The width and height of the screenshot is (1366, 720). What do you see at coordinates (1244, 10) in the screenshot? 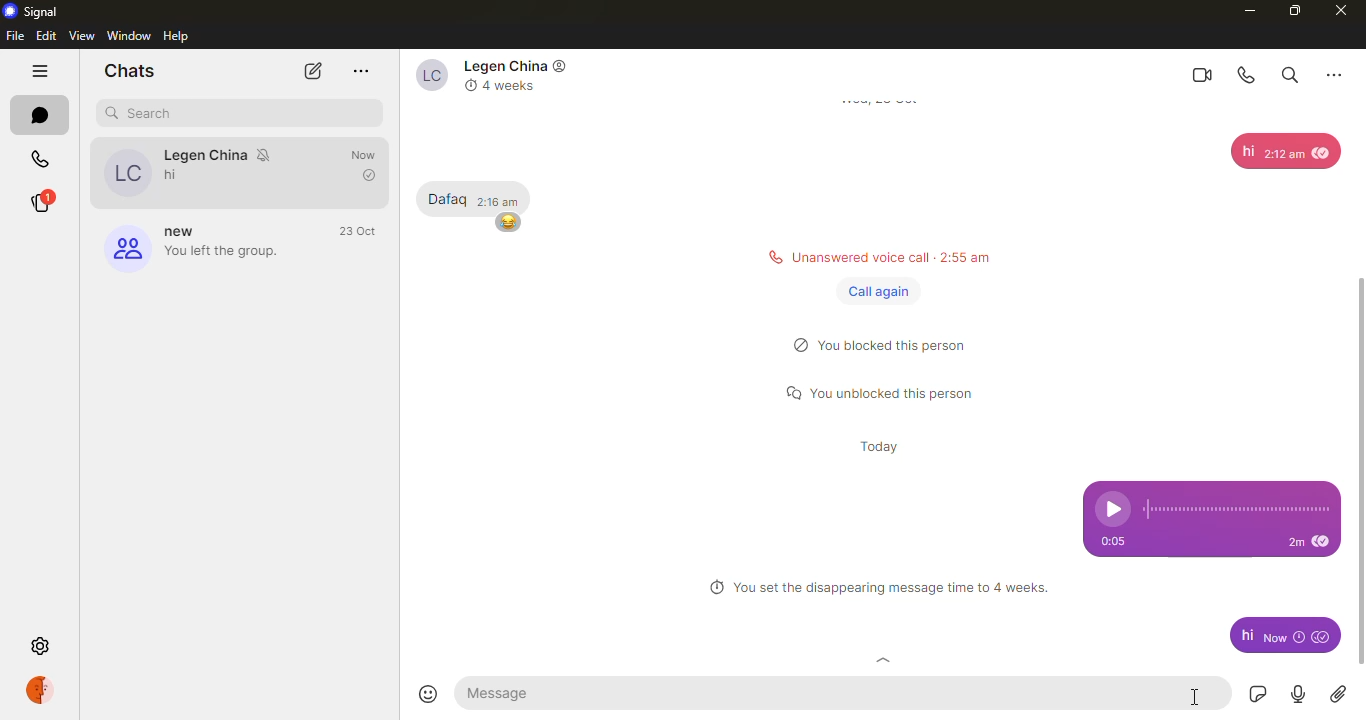
I see `minimize` at bounding box center [1244, 10].